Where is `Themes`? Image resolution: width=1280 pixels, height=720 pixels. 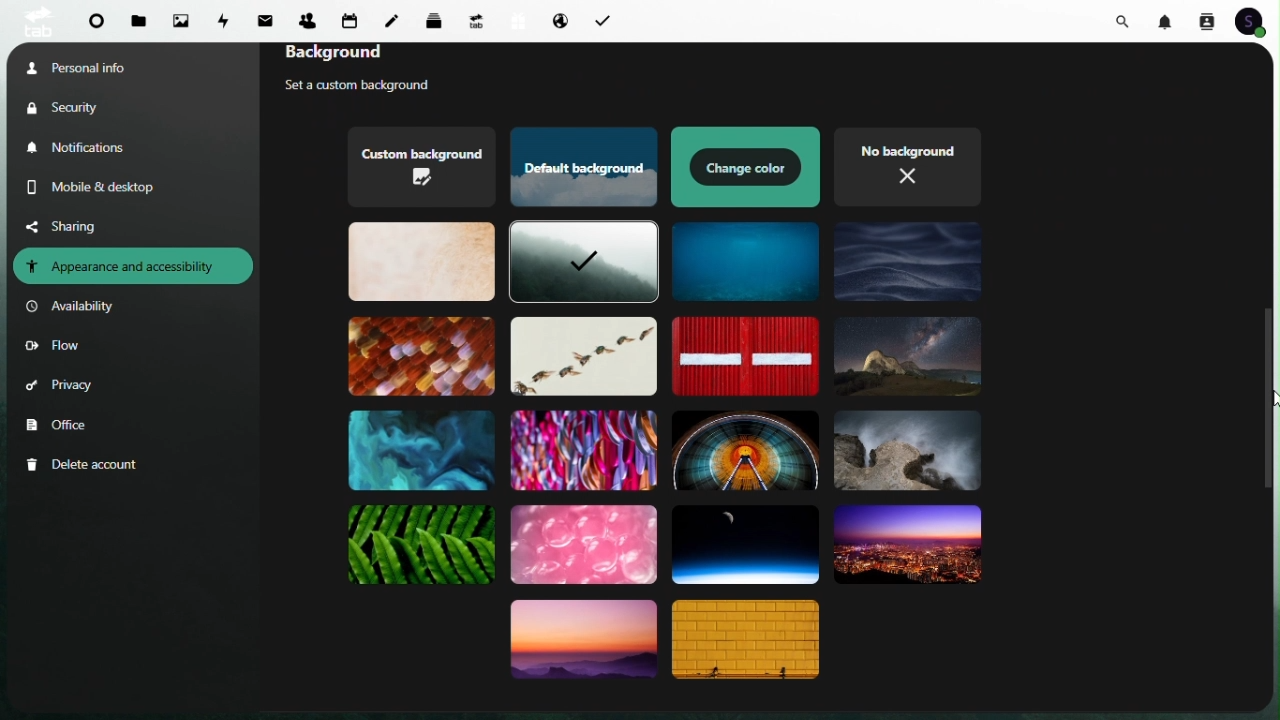 Themes is located at coordinates (744, 356).